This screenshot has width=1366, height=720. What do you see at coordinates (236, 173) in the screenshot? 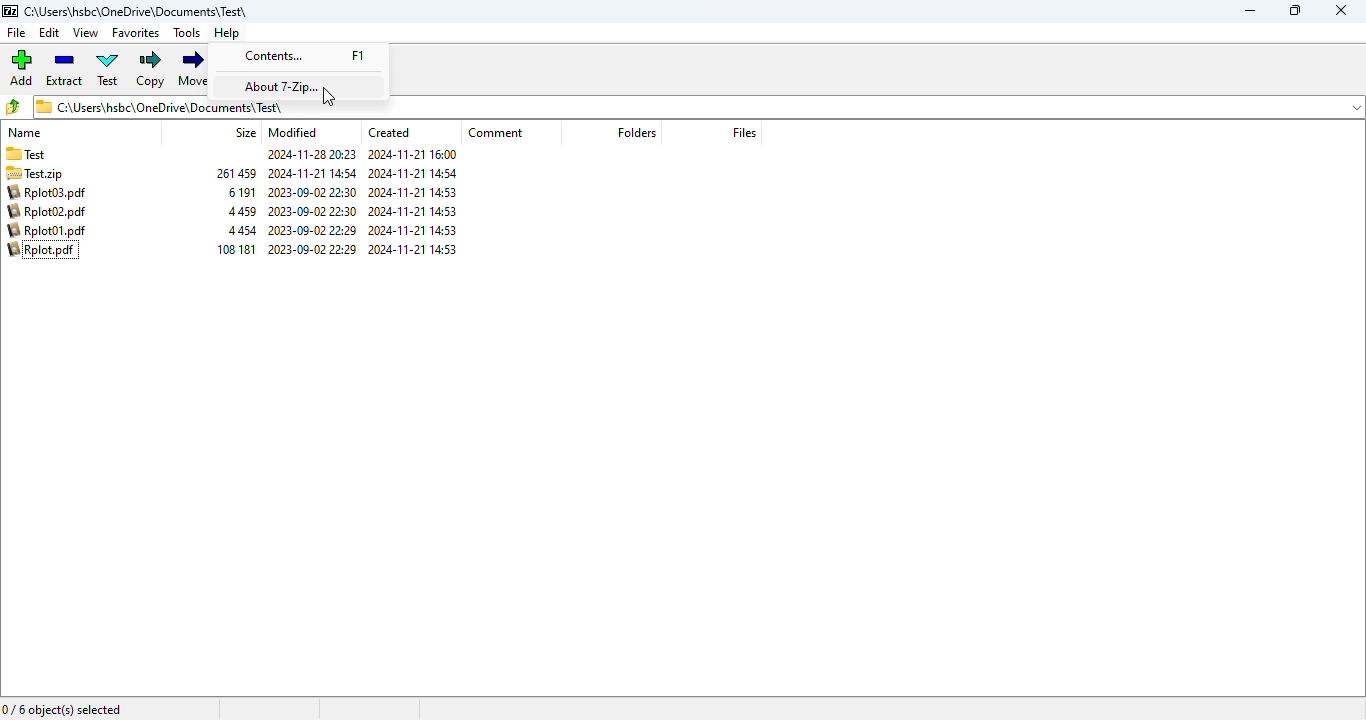
I see `261459` at bounding box center [236, 173].